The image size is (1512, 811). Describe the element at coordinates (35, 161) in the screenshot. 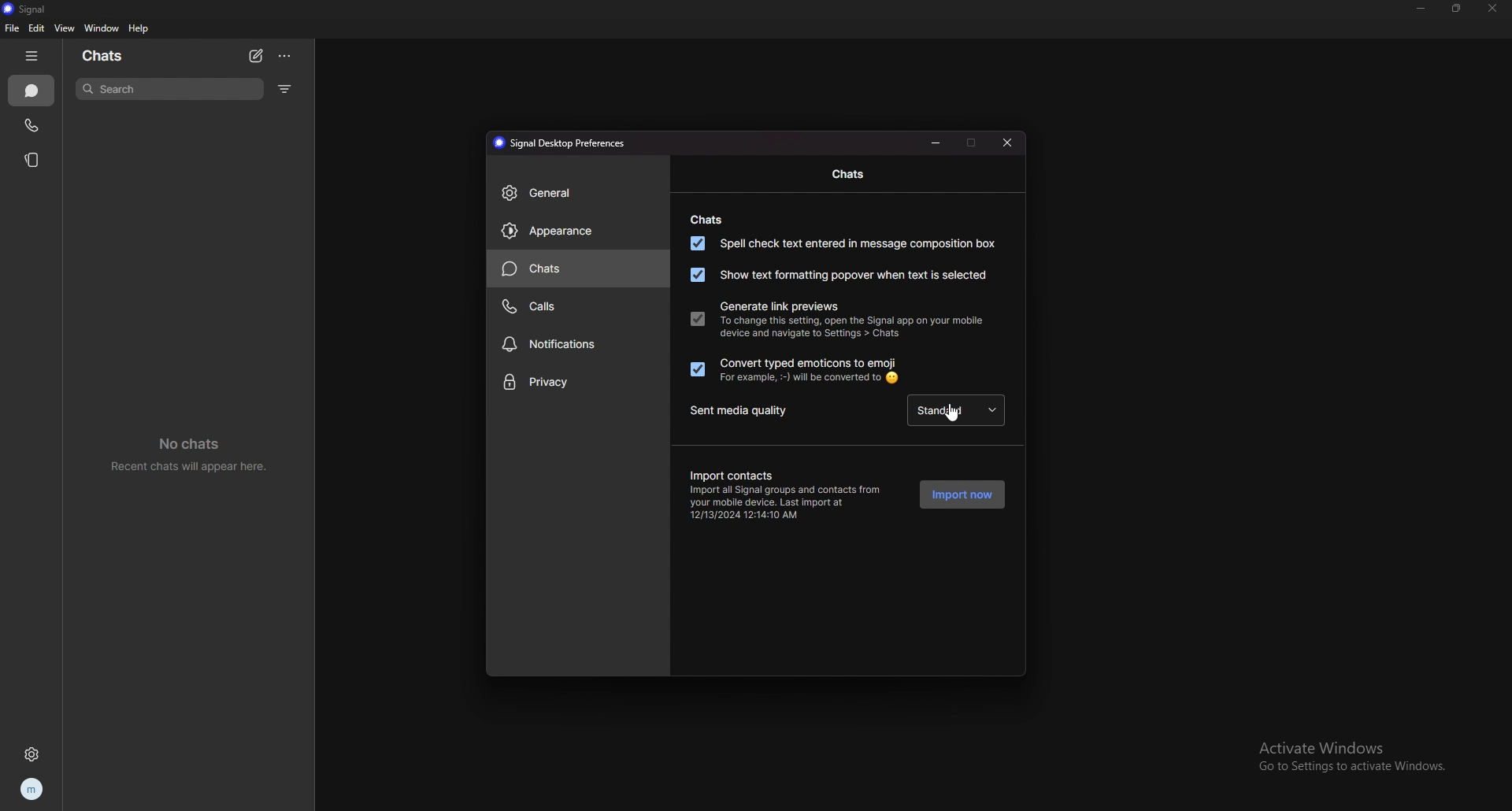

I see `stories` at that location.